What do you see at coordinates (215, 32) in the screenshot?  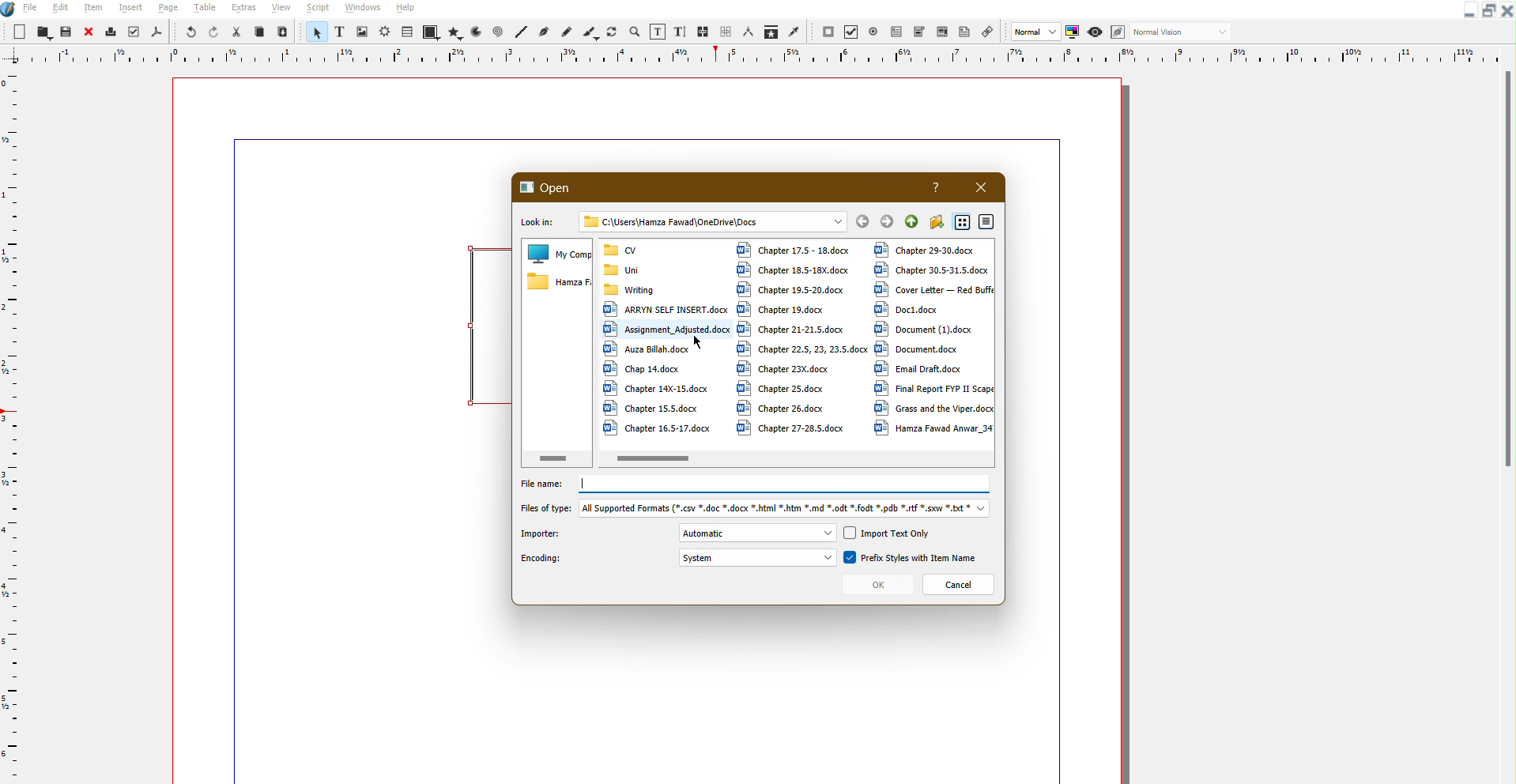 I see `Redo` at bounding box center [215, 32].